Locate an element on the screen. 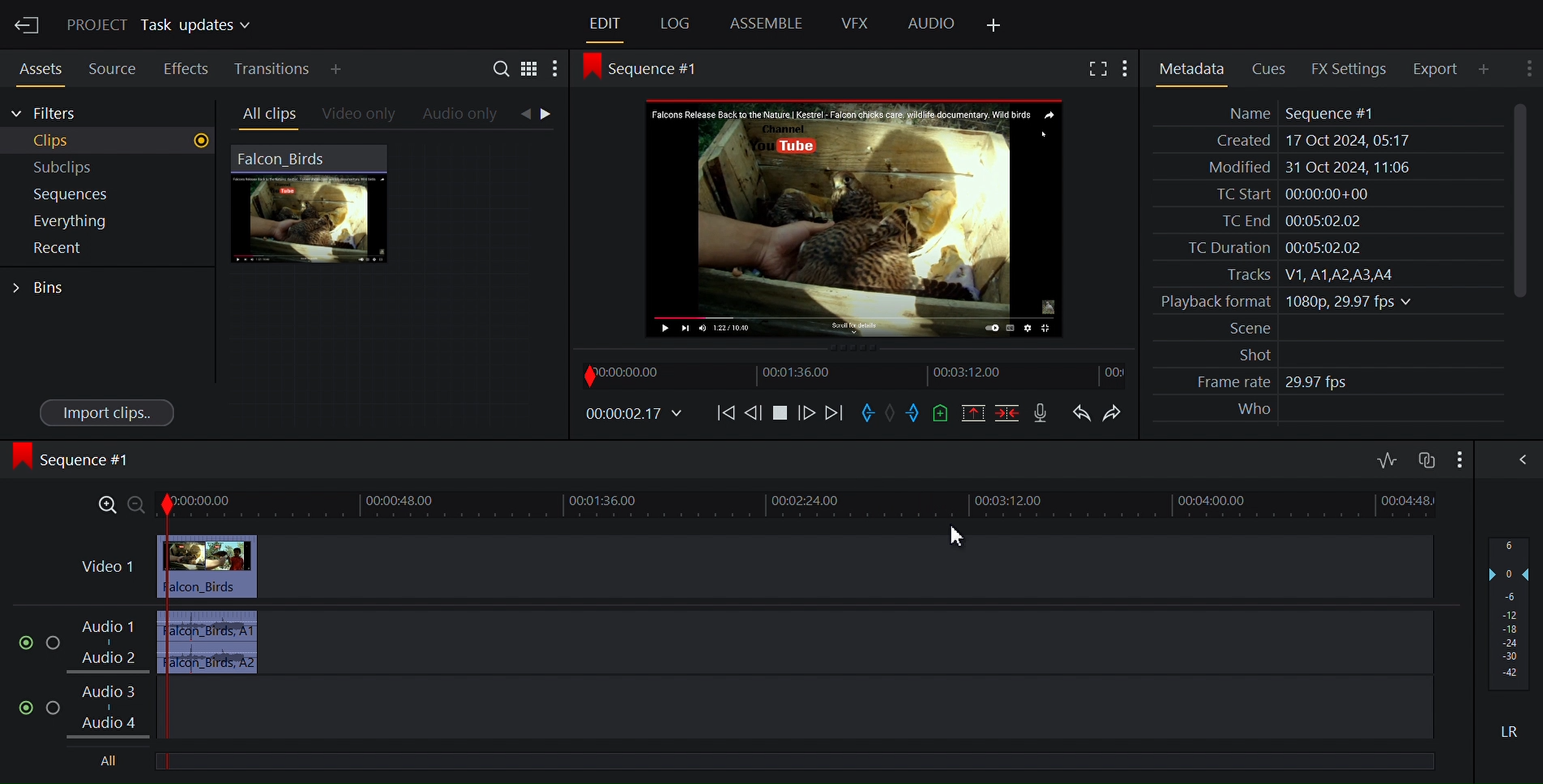  Nudge one frame forward is located at coordinates (809, 413).